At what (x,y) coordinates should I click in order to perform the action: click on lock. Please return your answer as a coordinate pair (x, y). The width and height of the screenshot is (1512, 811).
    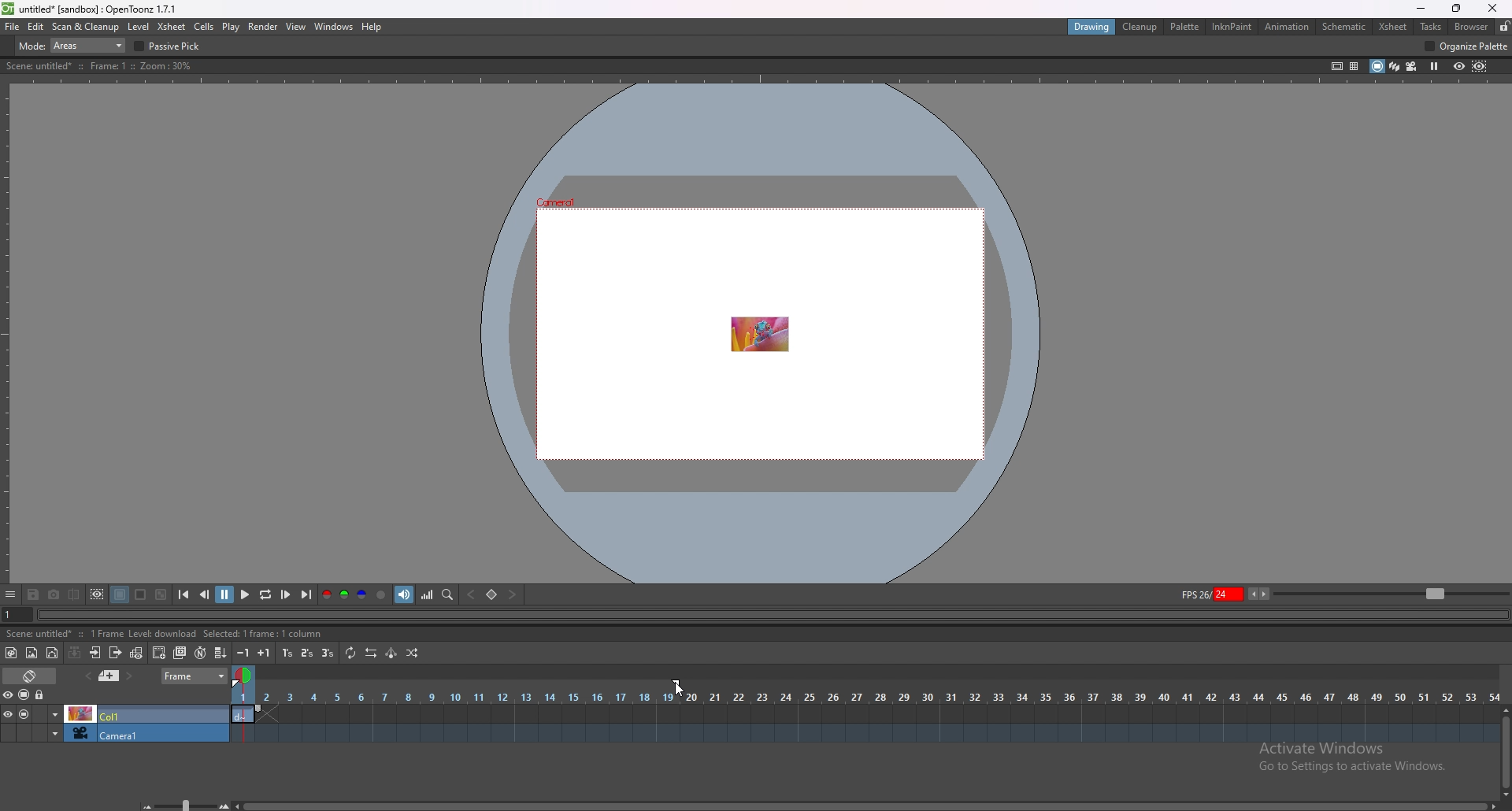
    Looking at the image, I should click on (41, 694).